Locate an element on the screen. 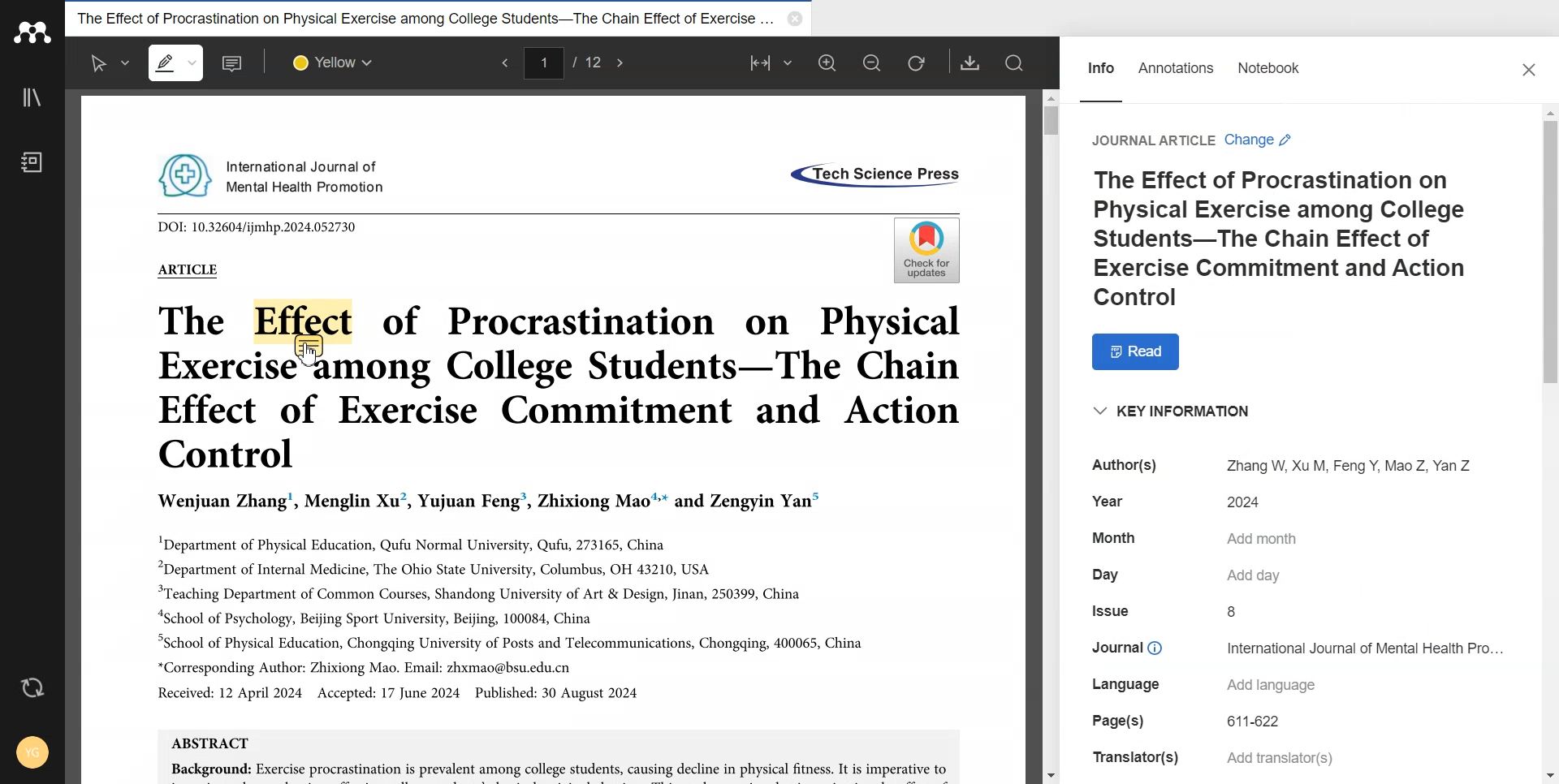 This screenshot has width=1559, height=784. Next is located at coordinates (619, 63).